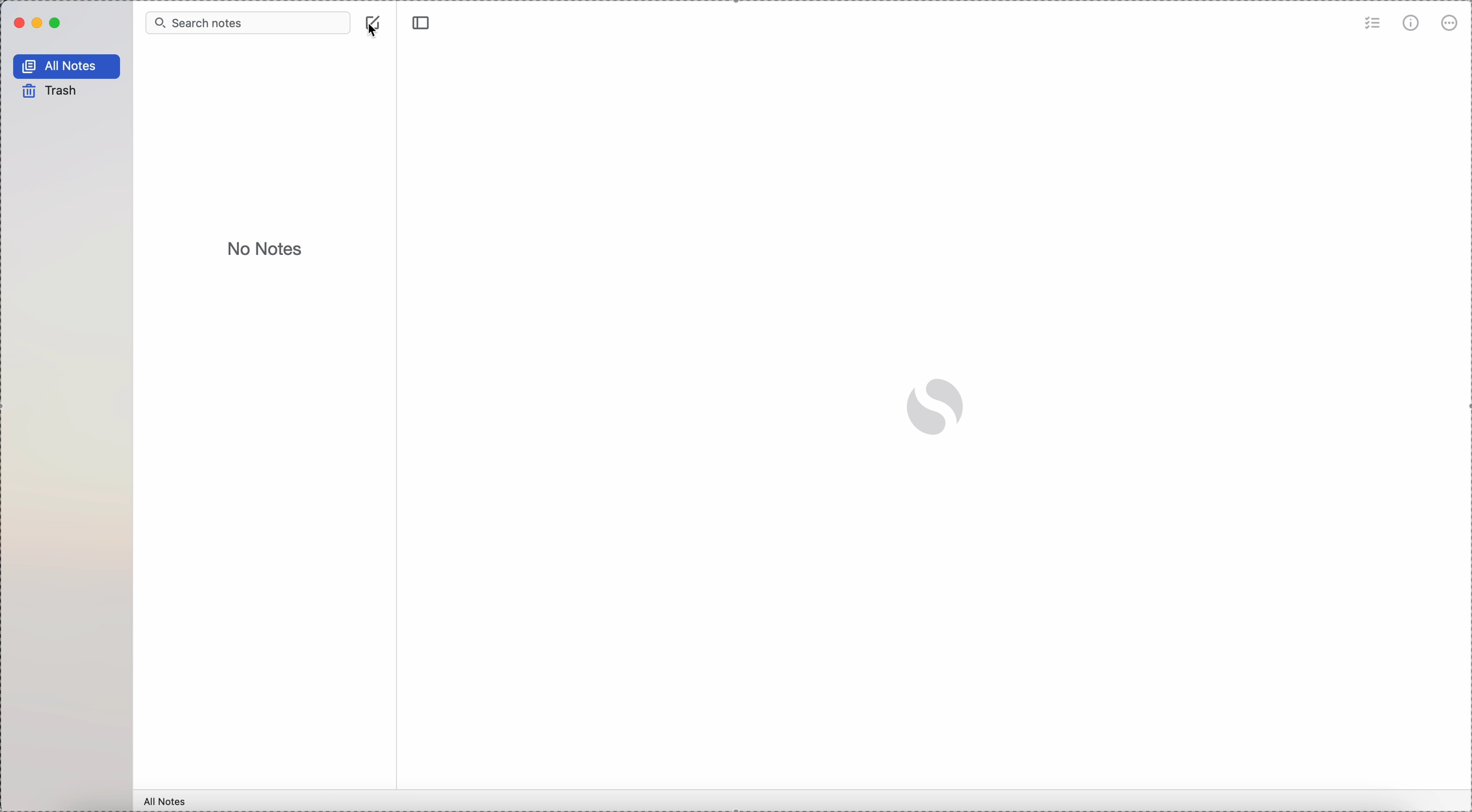 This screenshot has height=812, width=1472. I want to click on create note, so click(374, 17).